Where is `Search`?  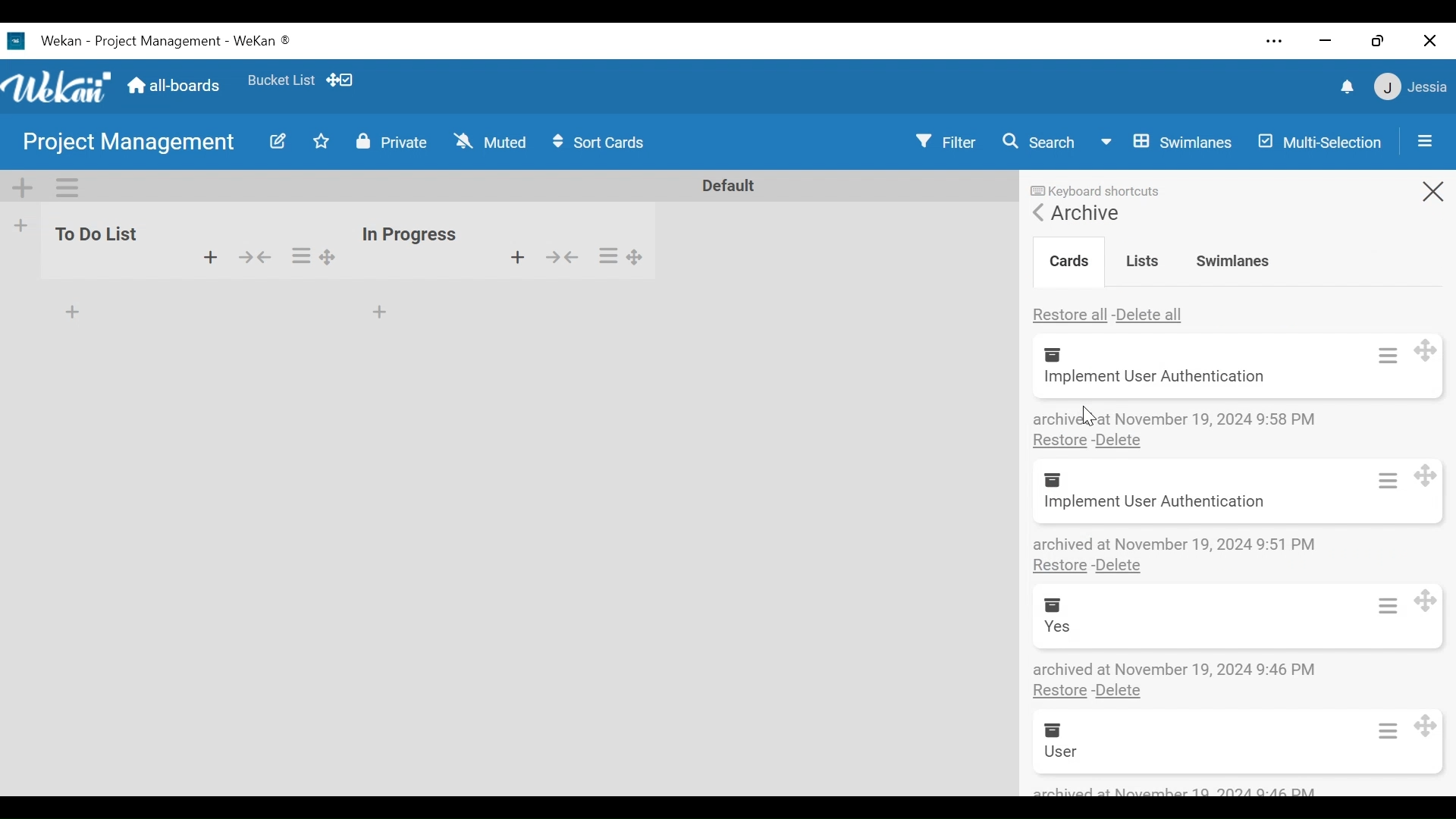
Search is located at coordinates (1044, 142).